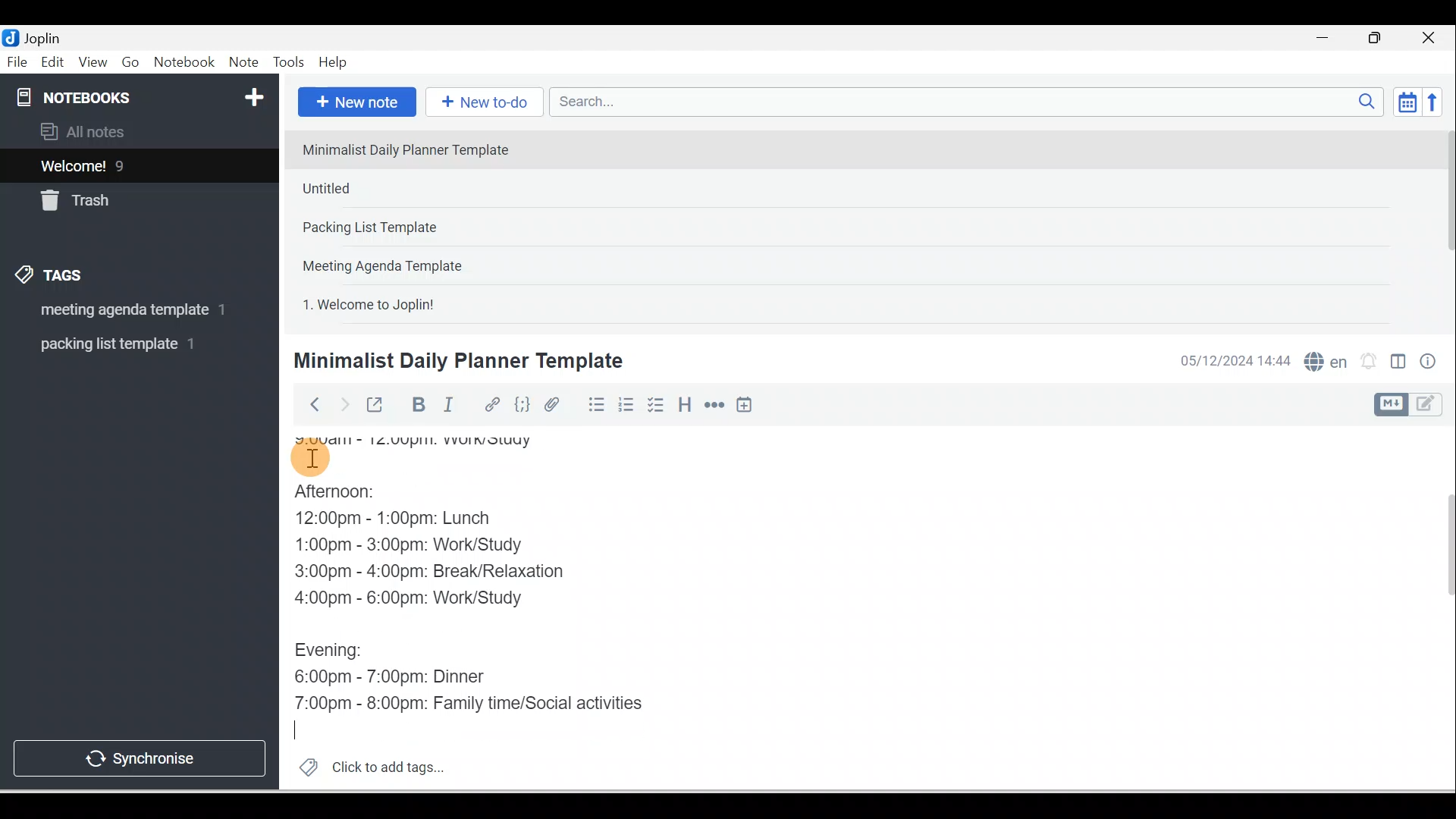  I want to click on Note, so click(242, 63).